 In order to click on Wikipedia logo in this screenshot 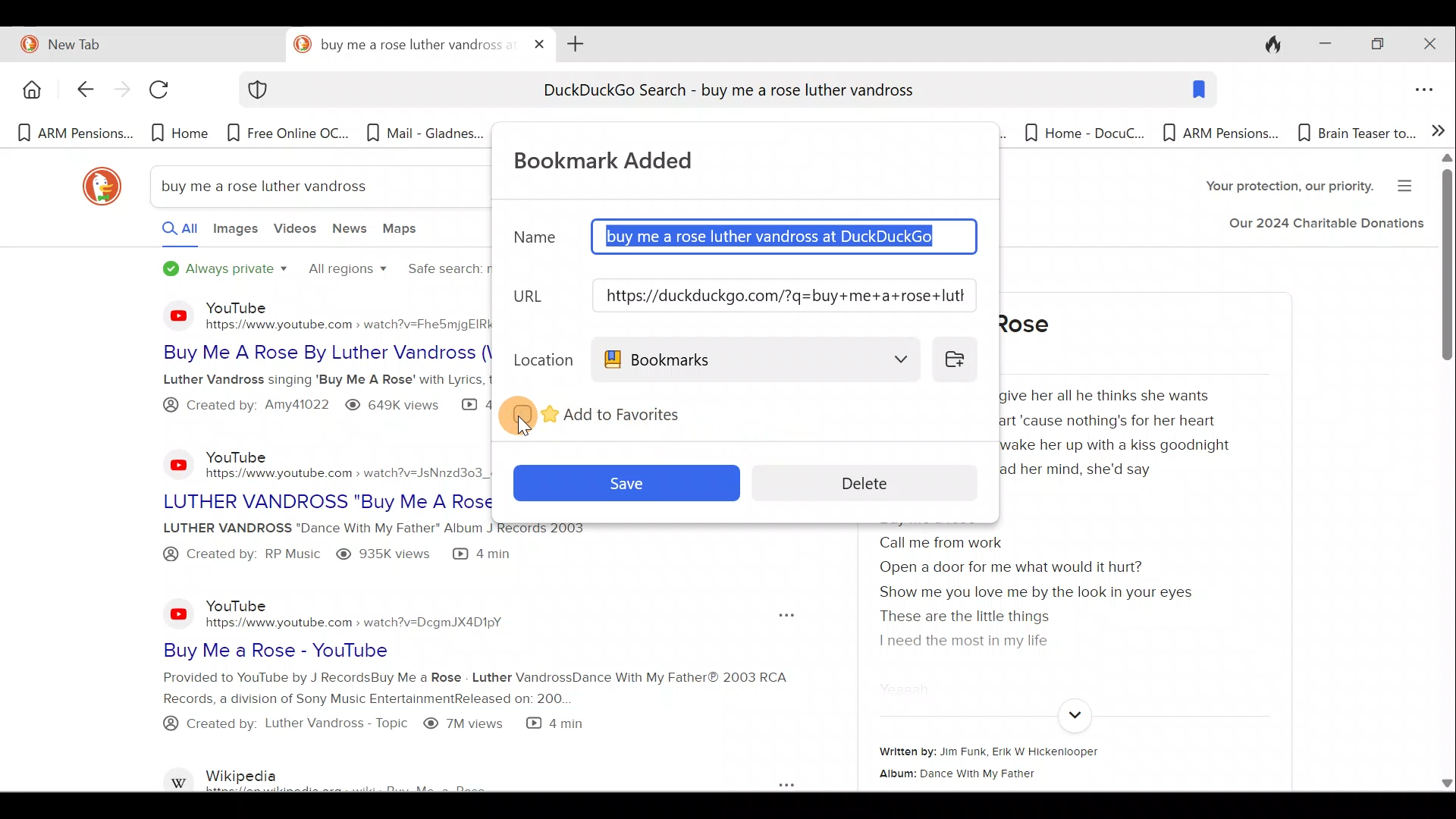, I will do `click(180, 777)`.